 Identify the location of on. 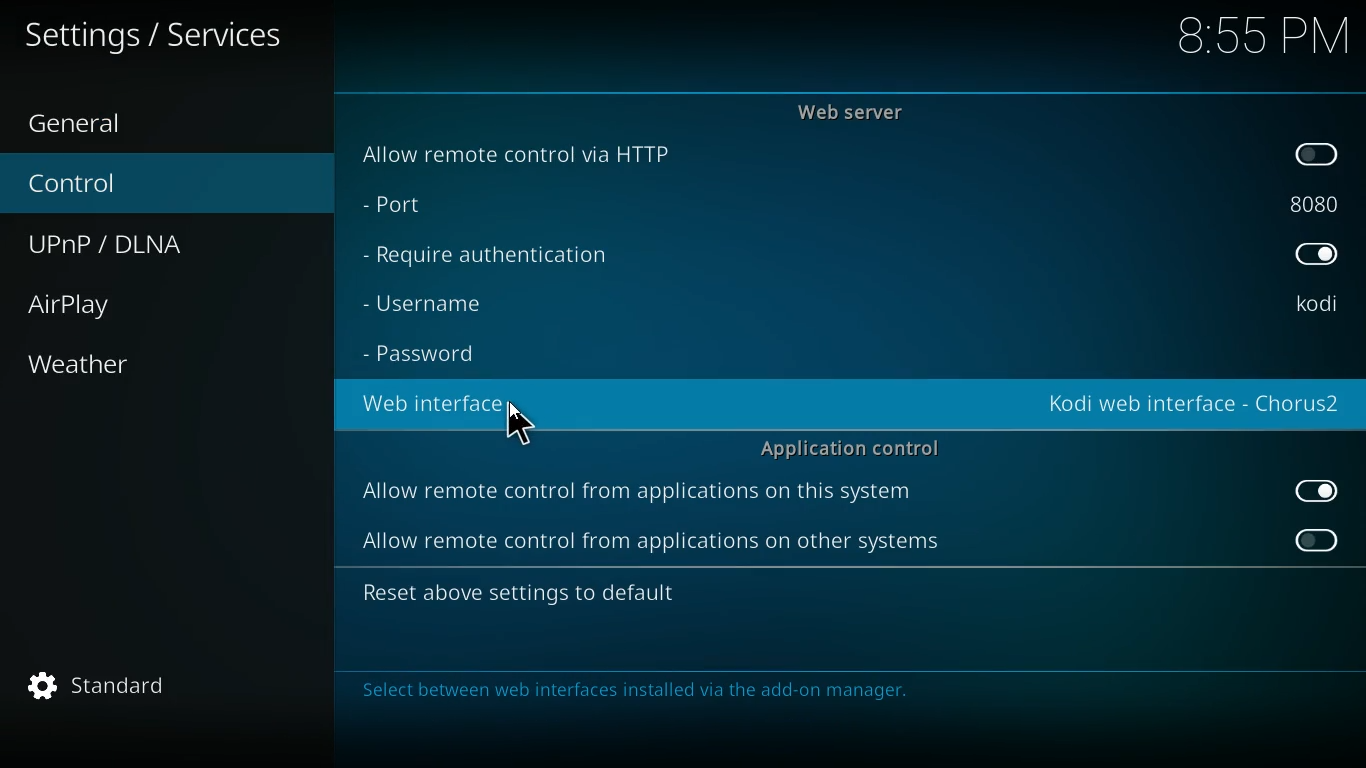
(1316, 257).